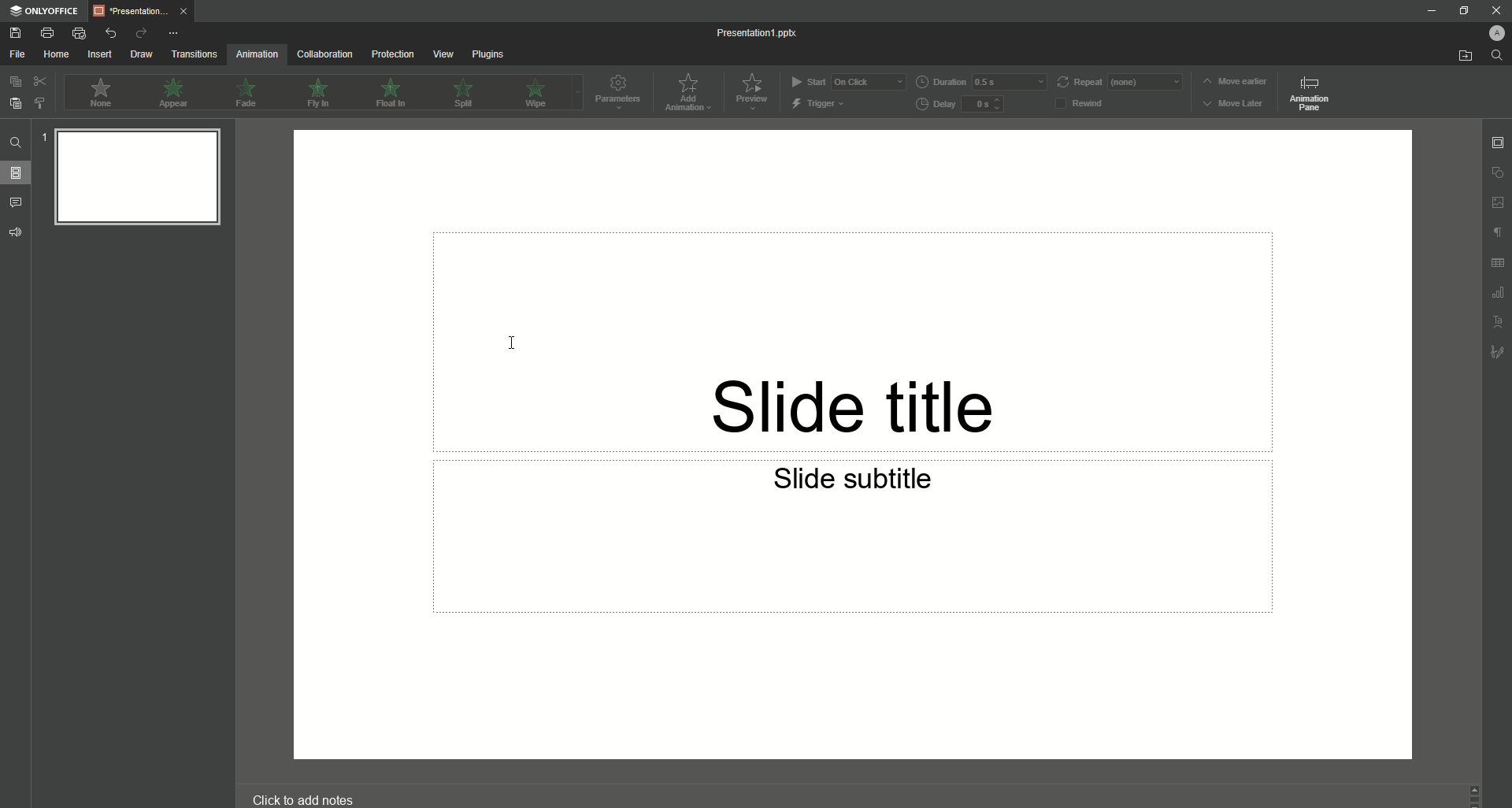 The image size is (1512, 808). I want to click on View, so click(441, 54).